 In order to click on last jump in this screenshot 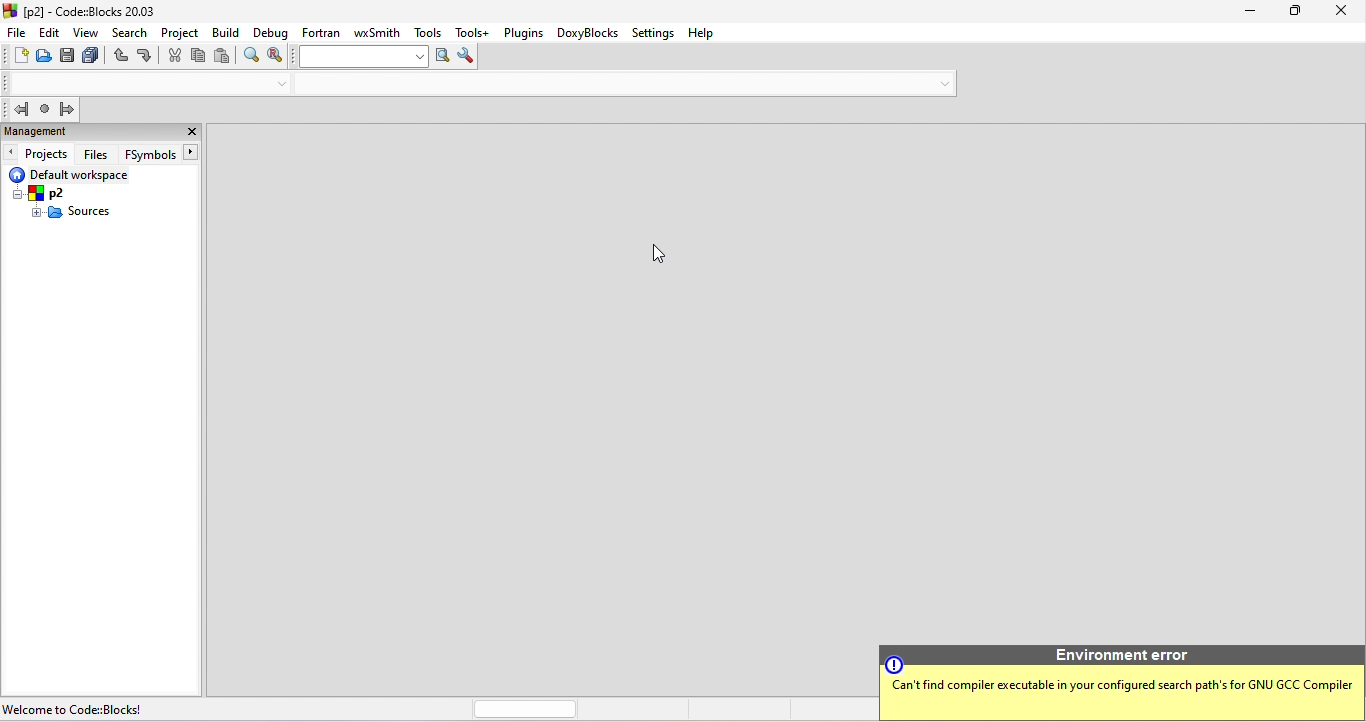, I will do `click(47, 109)`.